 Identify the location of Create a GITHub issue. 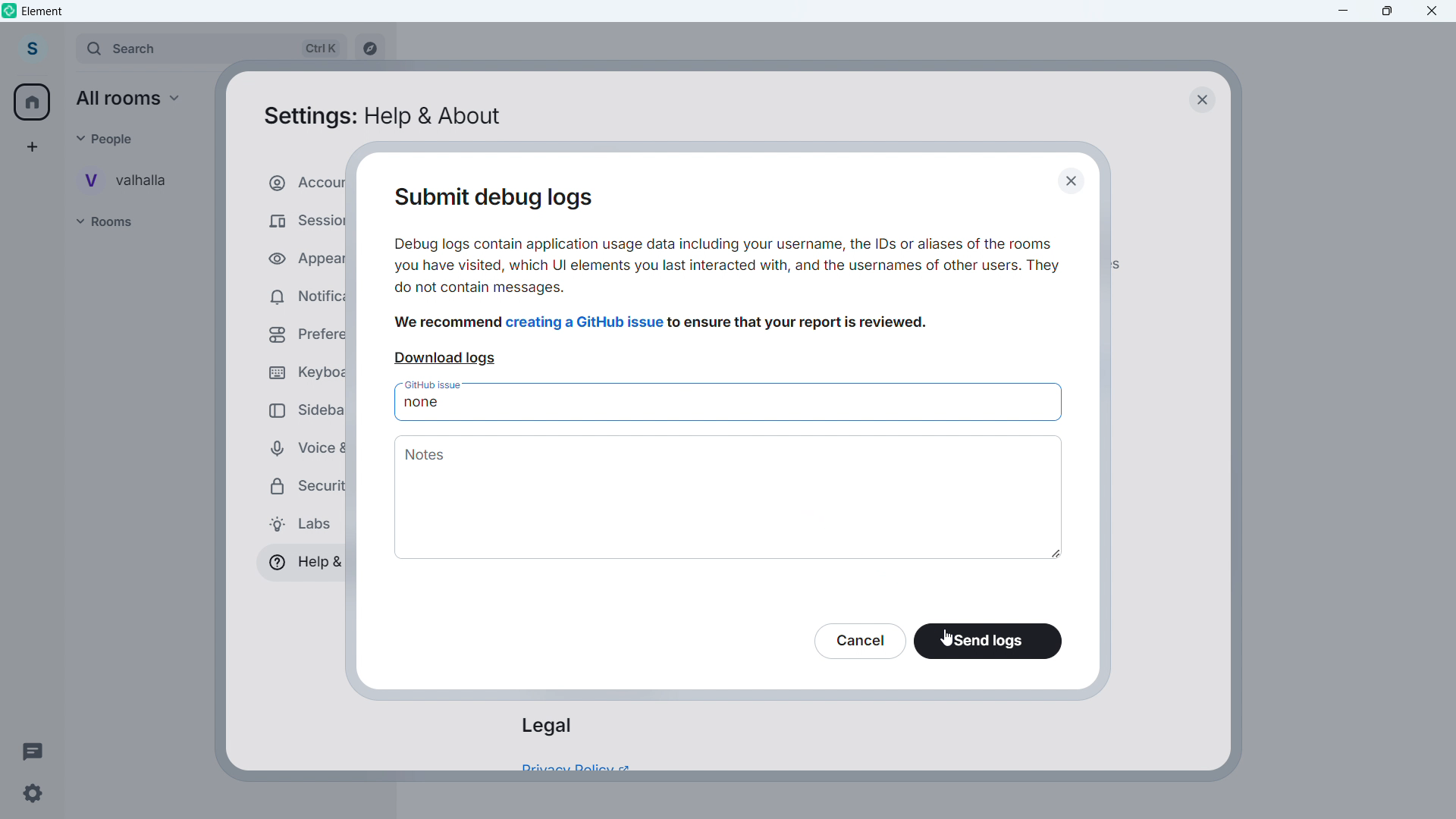
(586, 322).